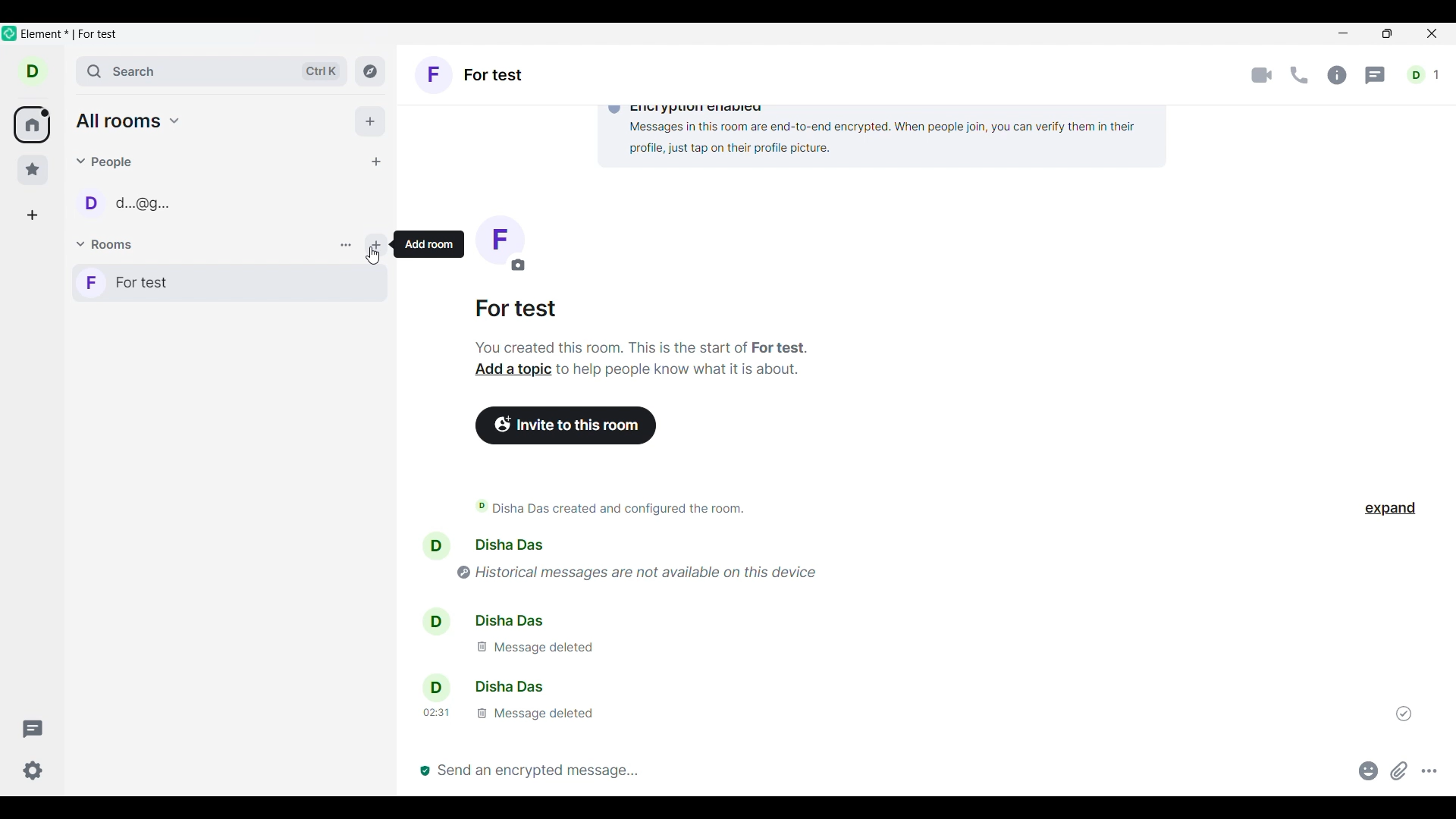  I want to click on Encryption enabled messages in this room are end to end encrypted. When people join you can verify them in their profile, just tap on their profile picture., so click(836, 129).